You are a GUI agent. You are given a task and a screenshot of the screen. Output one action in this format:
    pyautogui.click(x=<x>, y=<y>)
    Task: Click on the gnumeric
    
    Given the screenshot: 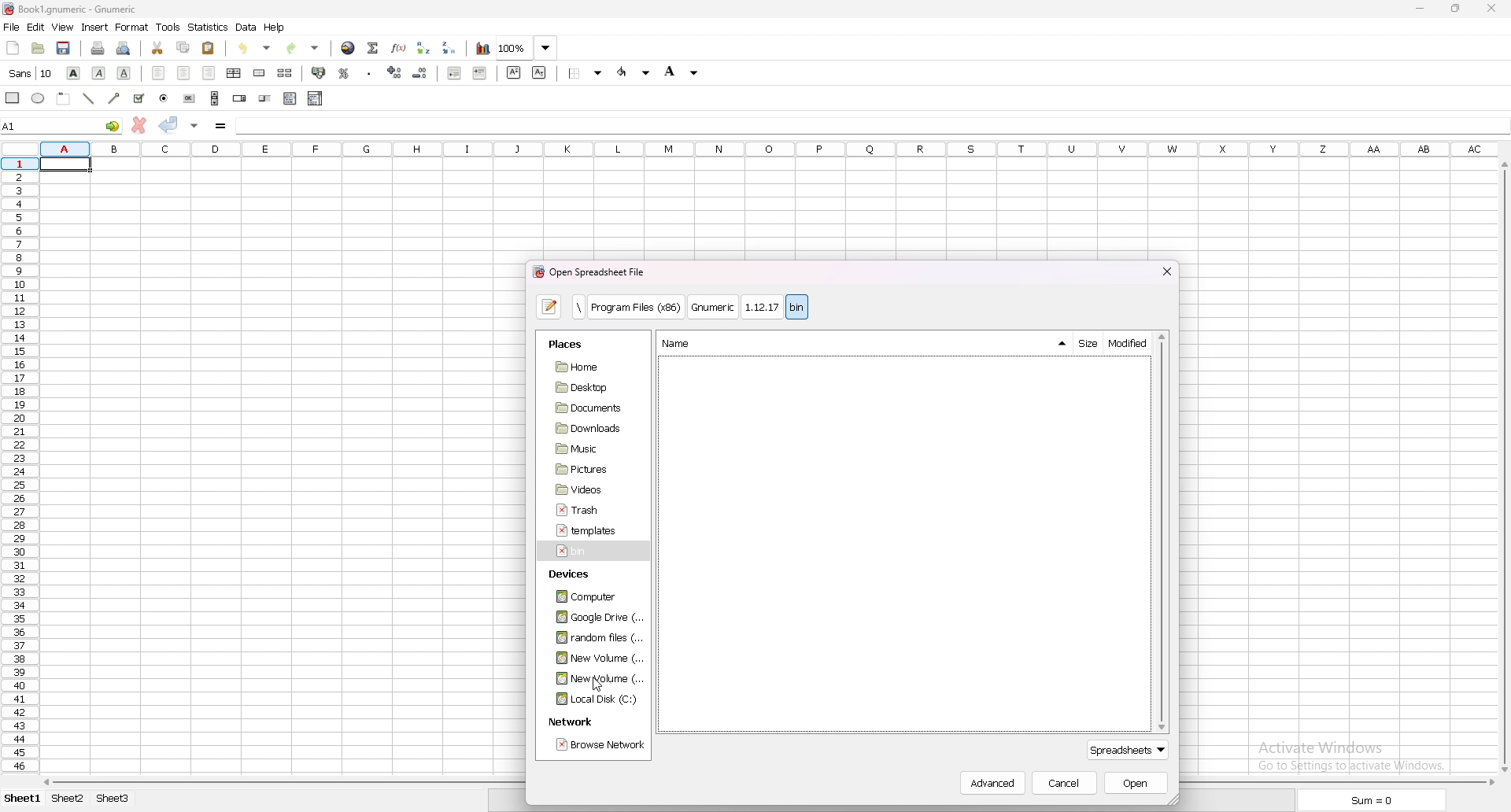 What is the action you would take?
    pyautogui.click(x=713, y=308)
    